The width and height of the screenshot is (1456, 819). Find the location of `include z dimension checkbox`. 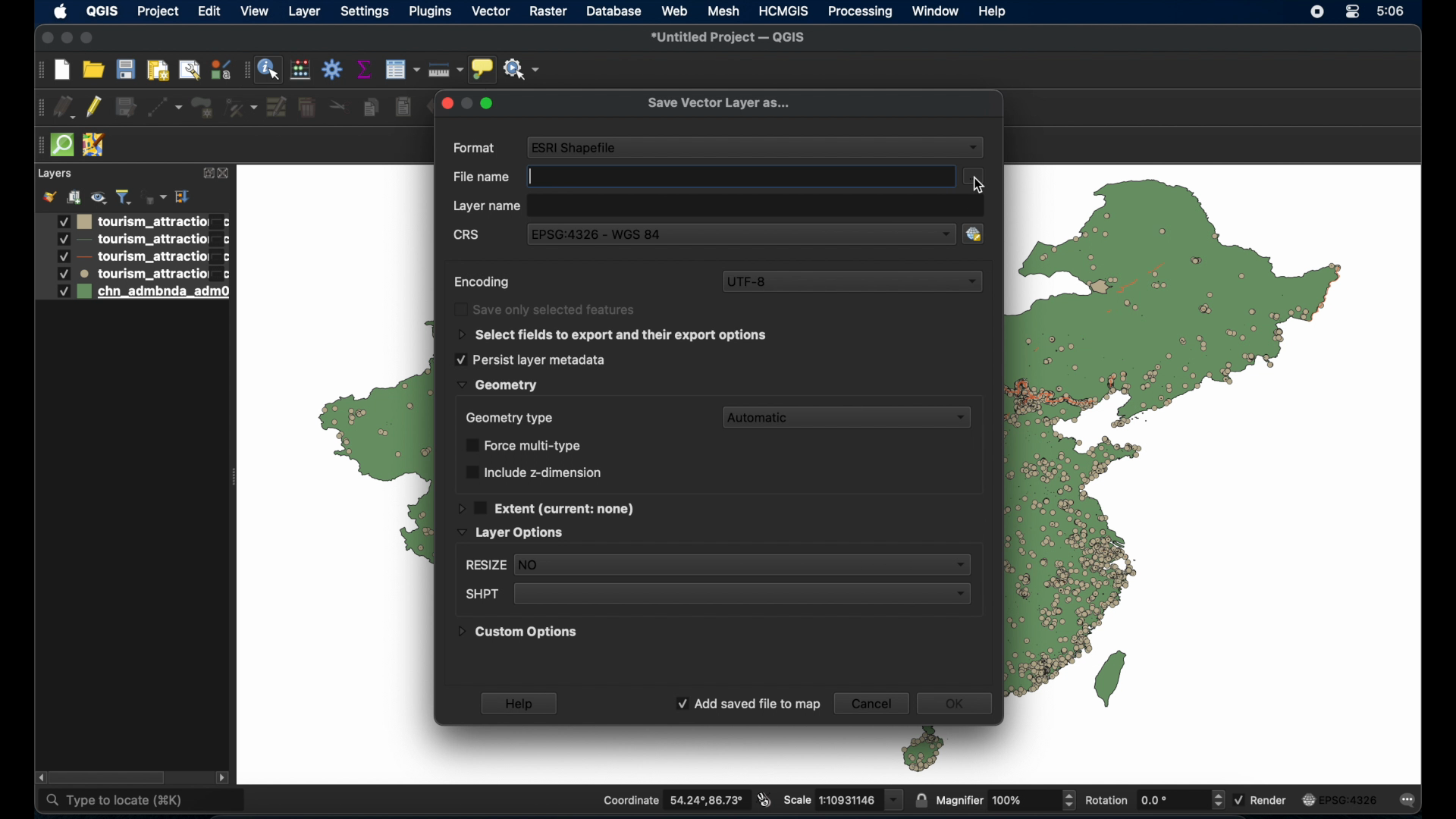

include z dimension checkbox is located at coordinates (533, 472).